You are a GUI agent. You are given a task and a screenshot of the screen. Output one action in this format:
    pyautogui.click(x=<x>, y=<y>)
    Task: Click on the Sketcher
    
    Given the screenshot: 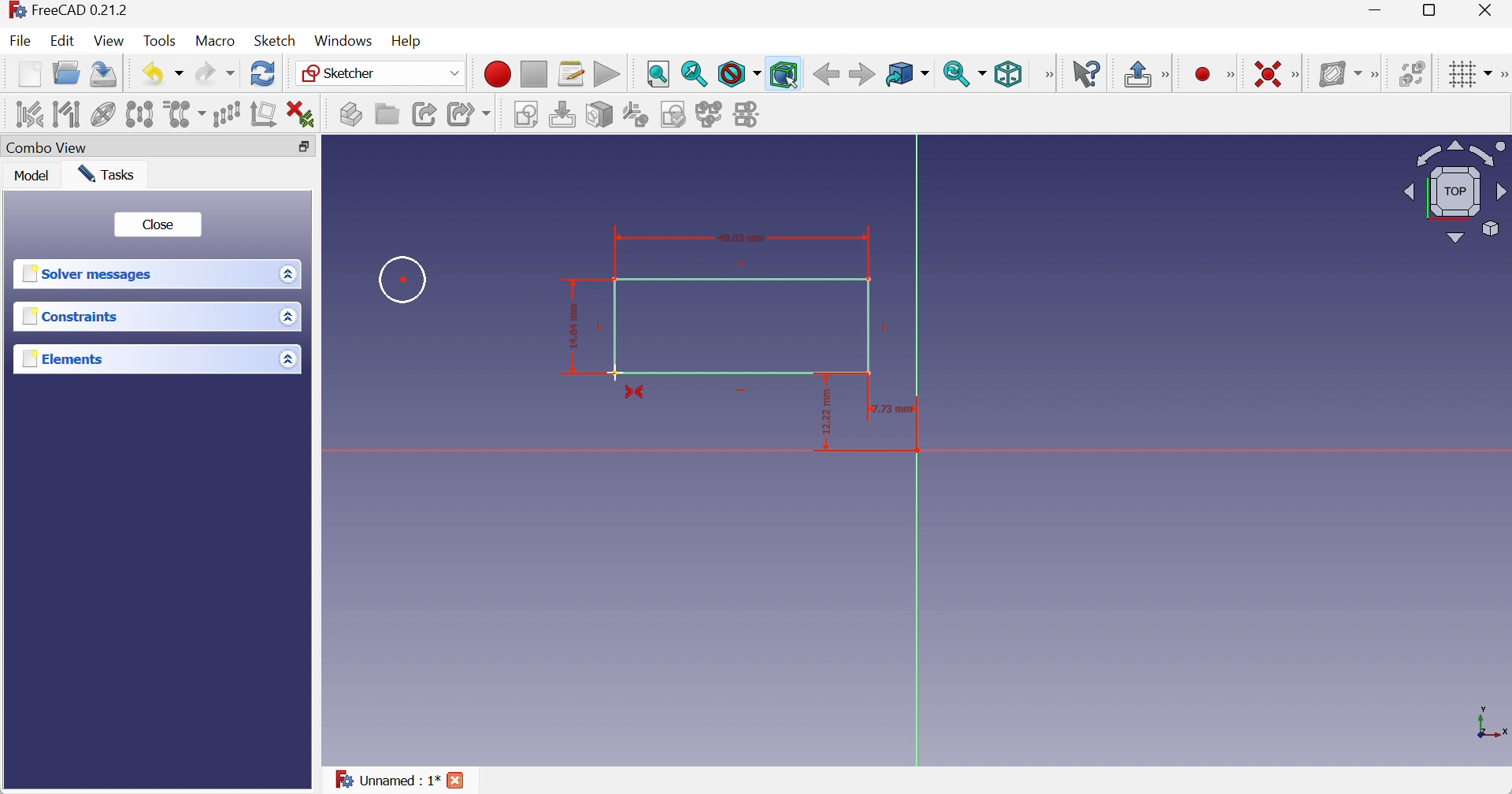 What is the action you would take?
    pyautogui.click(x=384, y=74)
    